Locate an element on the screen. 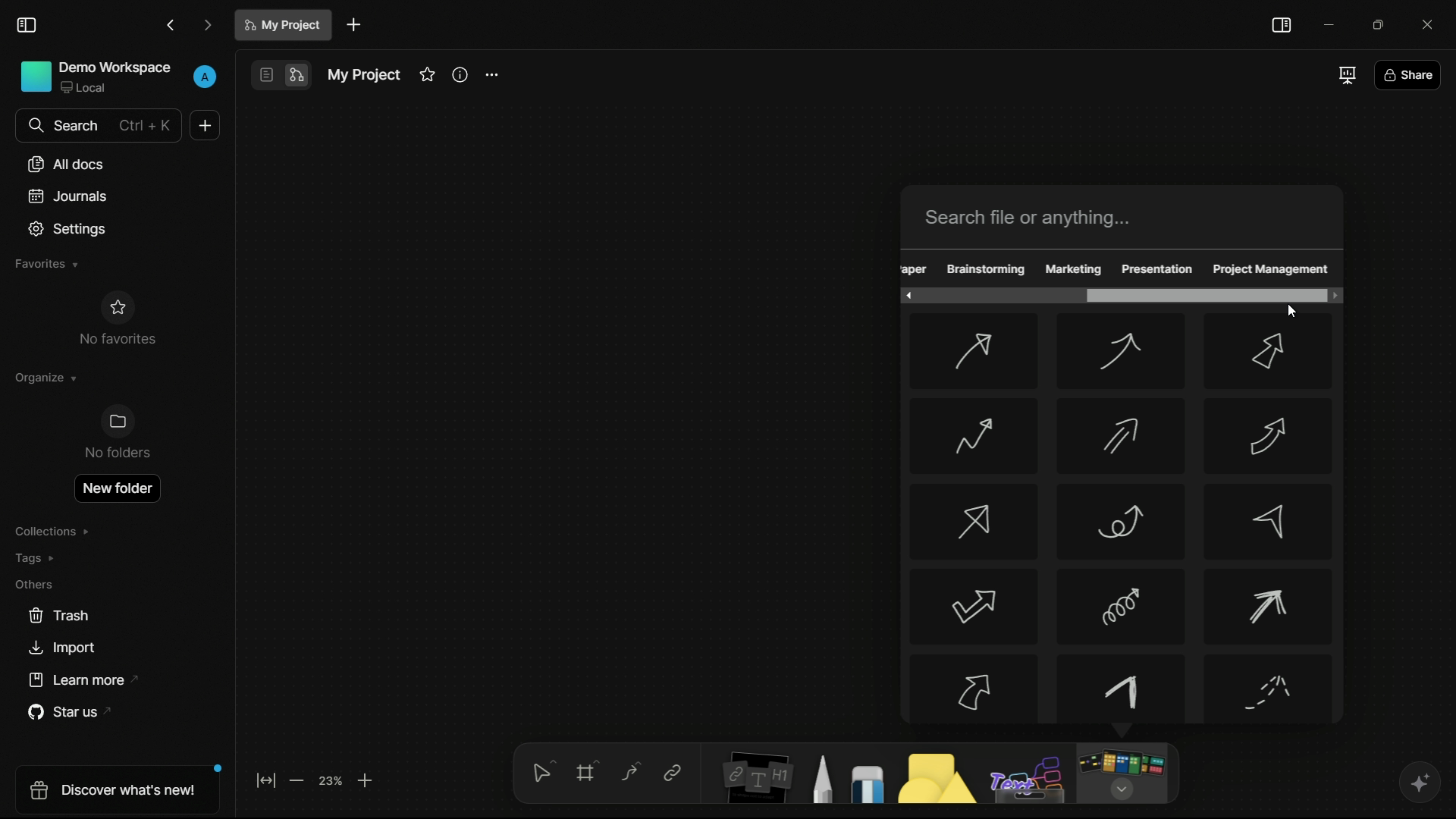 The height and width of the screenshot is (819, 1456). forward is located at coordinates (208, 27).